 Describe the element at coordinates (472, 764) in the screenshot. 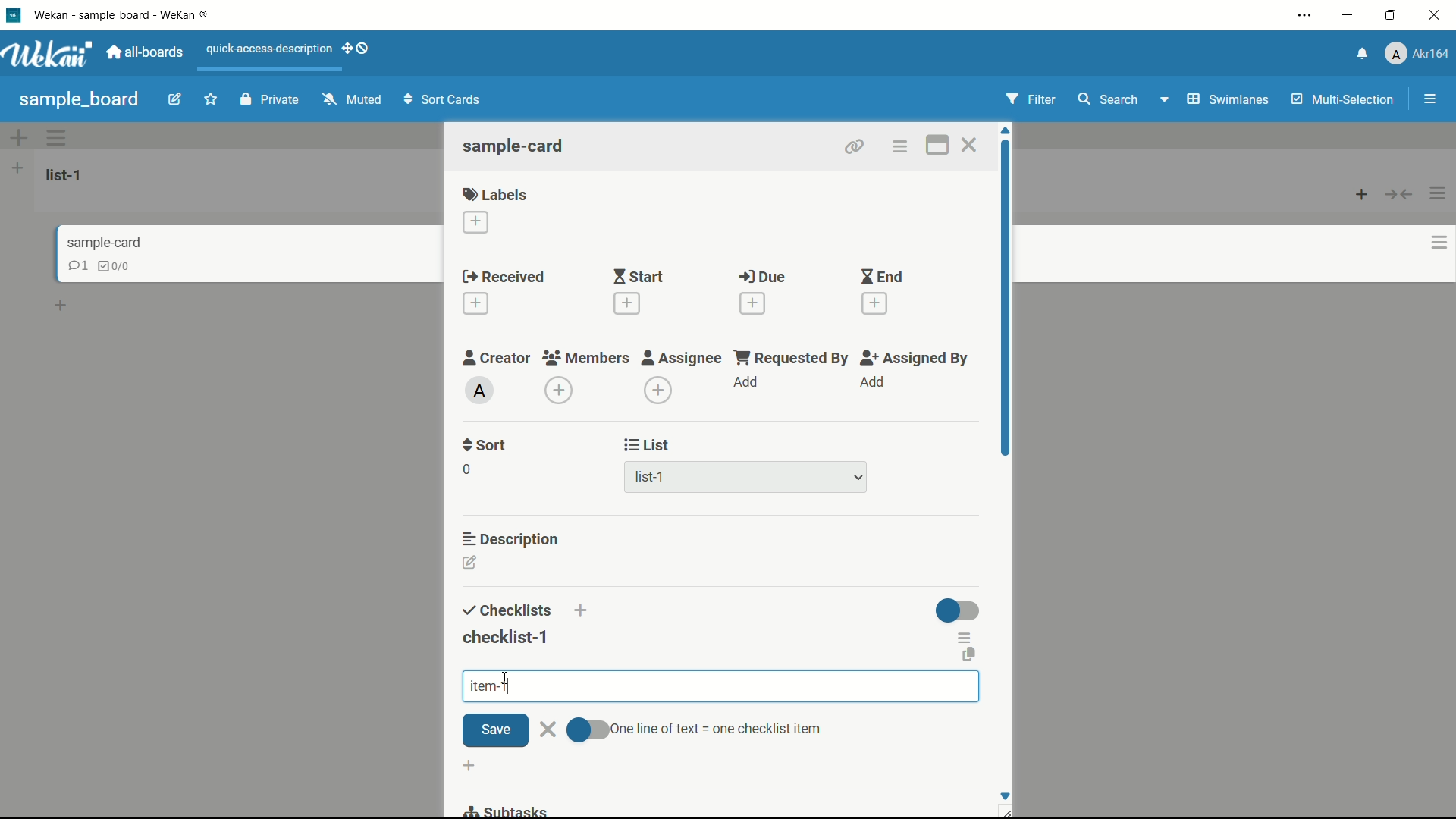

I see `add` at that location.